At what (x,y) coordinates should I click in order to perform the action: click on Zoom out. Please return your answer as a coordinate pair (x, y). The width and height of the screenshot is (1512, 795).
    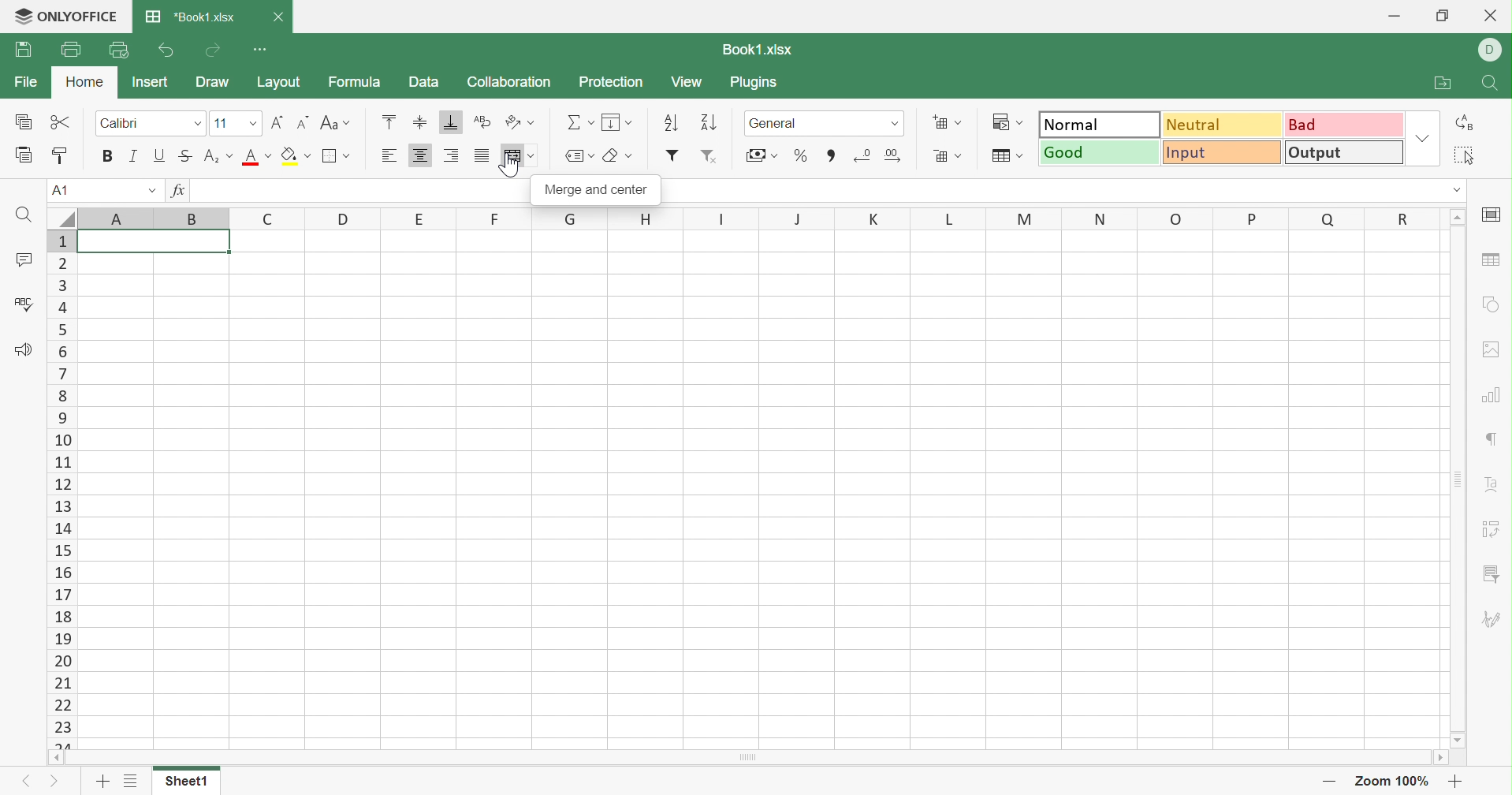
    Looking at the image, I should click on (1332, 780).